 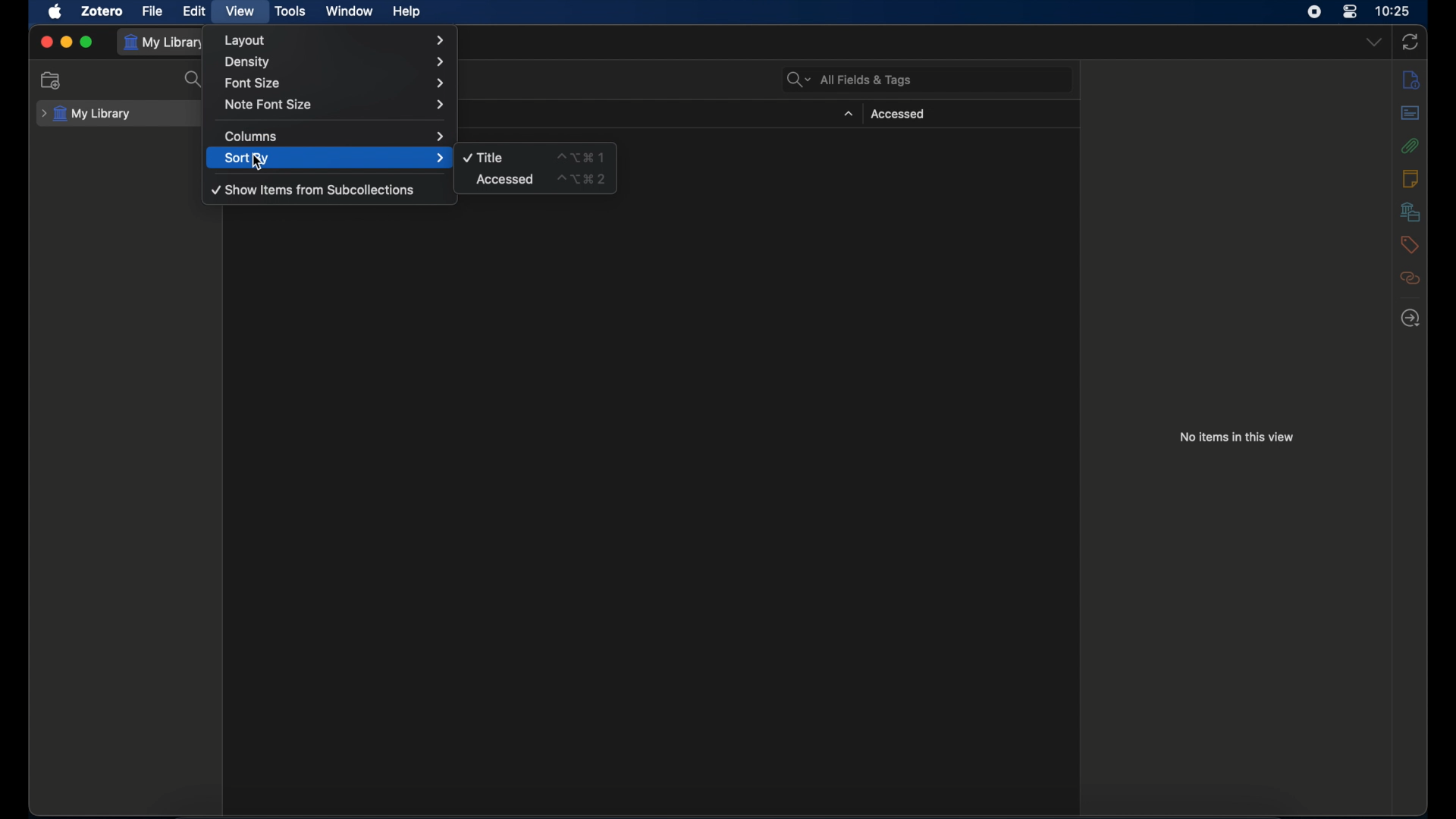 I want to click on locate, so click(x=1411, y=318).